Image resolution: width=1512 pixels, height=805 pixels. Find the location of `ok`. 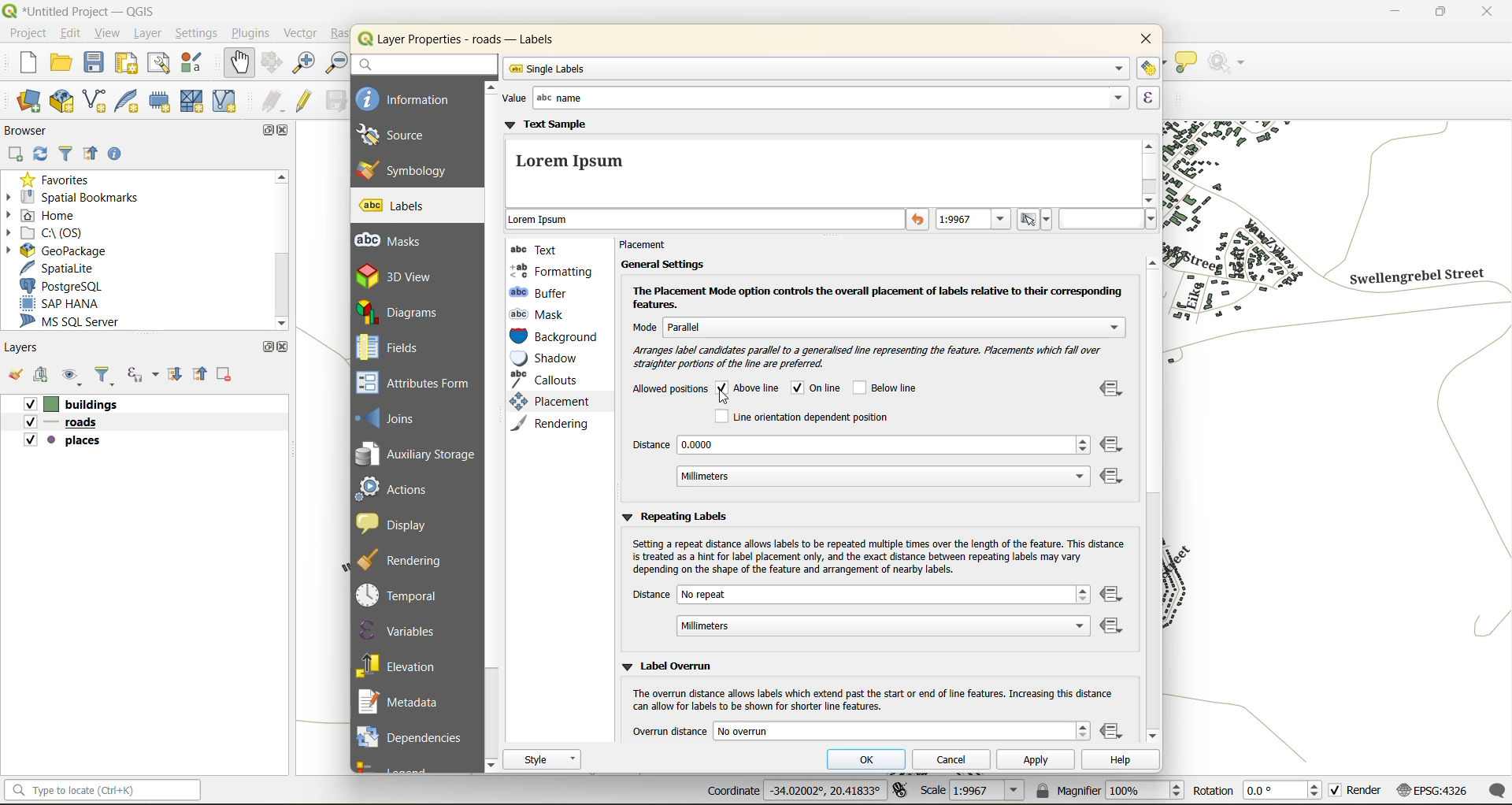

ok is located at coordinates (872, 761).